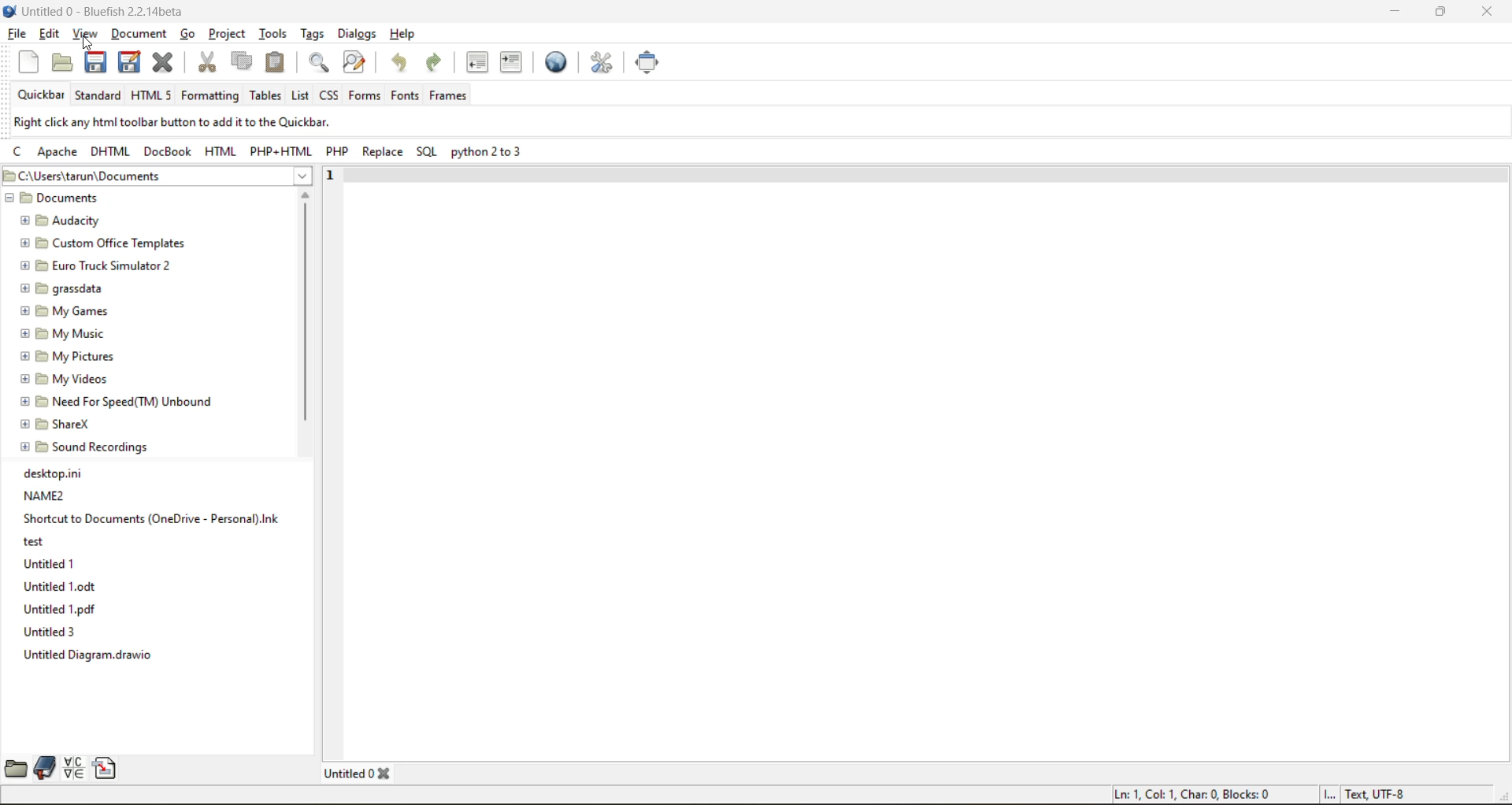  Describe the element at coordinates (51, 630) in the screenshot. I see `Untitled 3` at that location.